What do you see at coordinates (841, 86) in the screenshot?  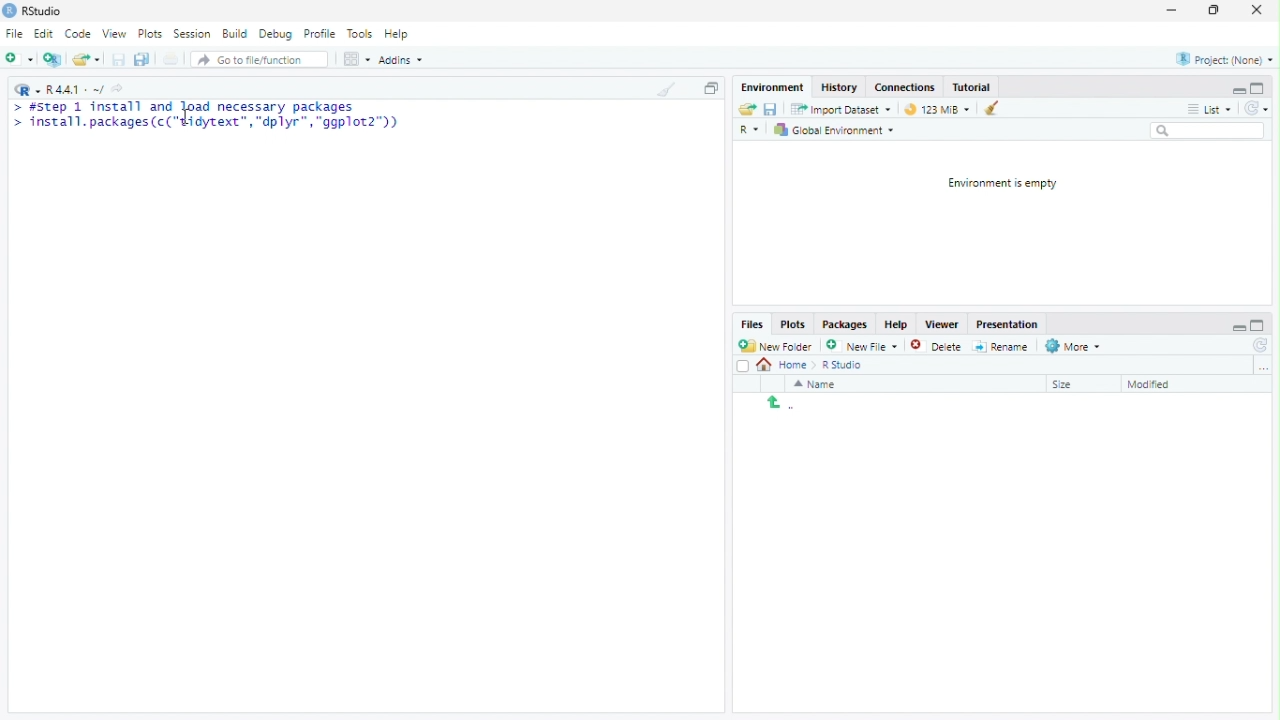 I see `History` at bounding box center [841, 86].